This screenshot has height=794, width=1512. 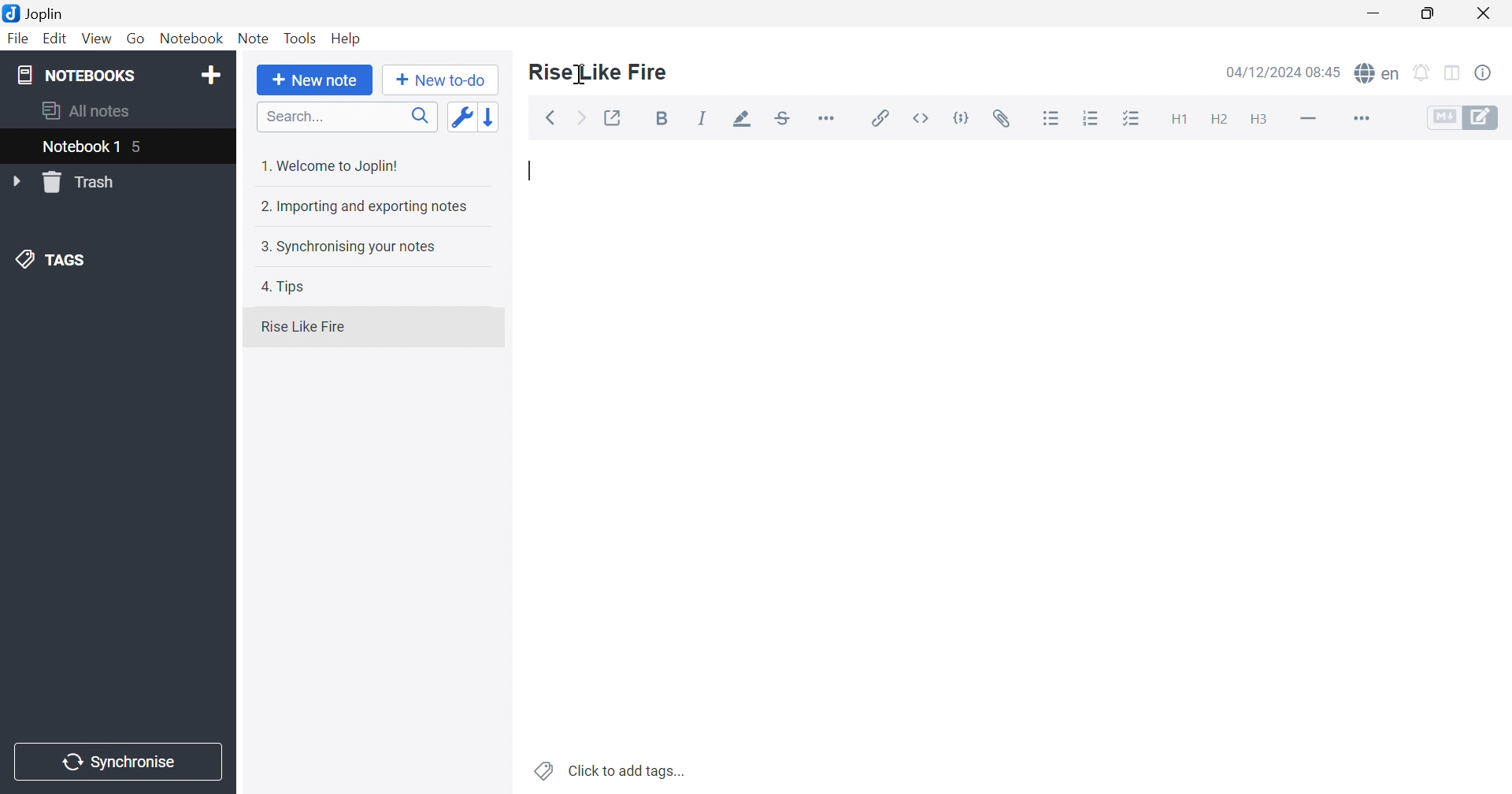 I want to click on Close, so click(x=1486, y=12).